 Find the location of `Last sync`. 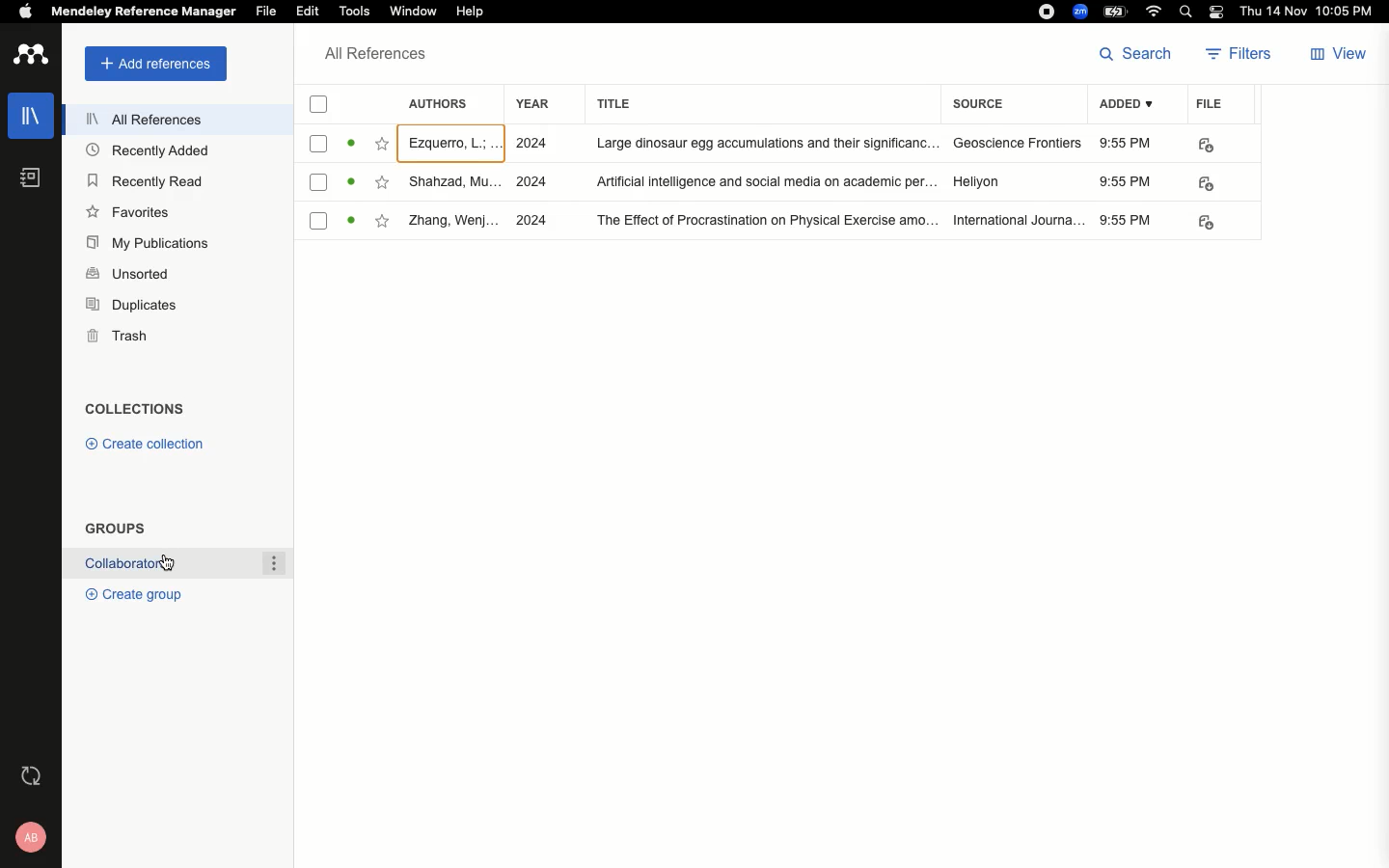

Last sync is located at coordinates (36, 777).